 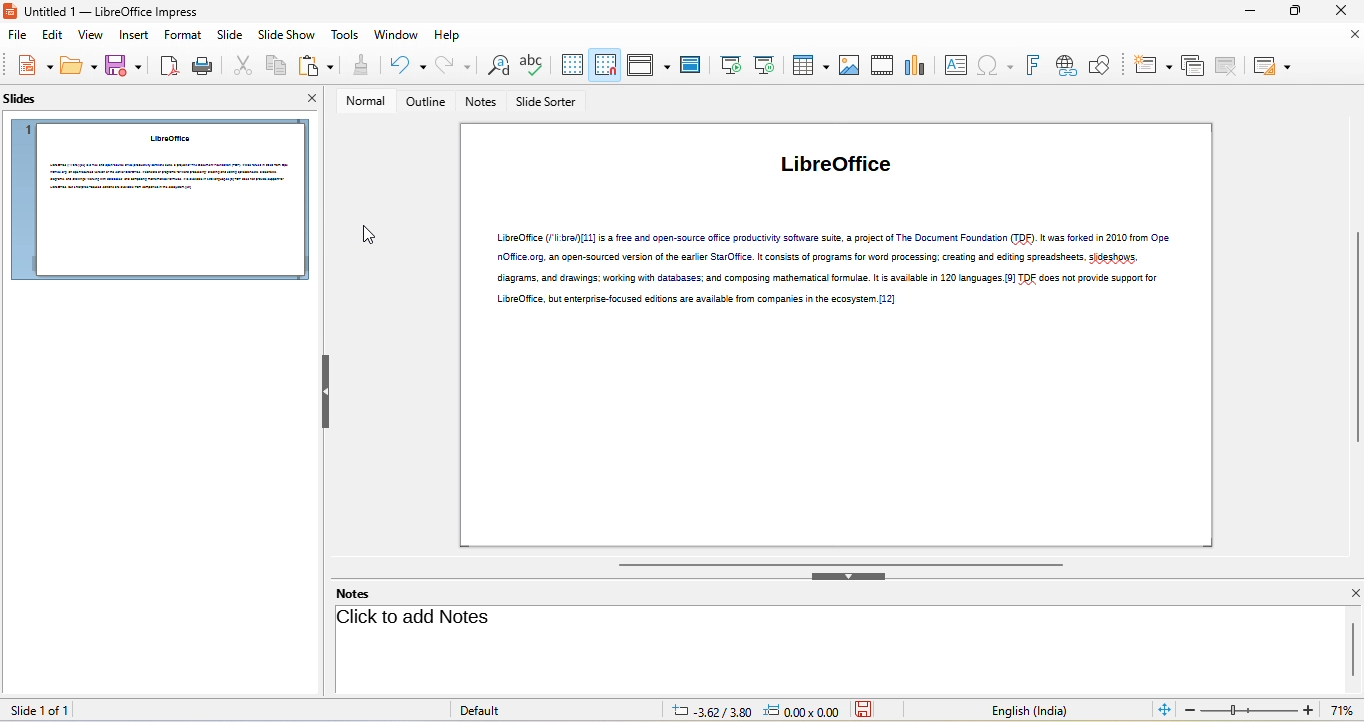 I want to click on normal, so click(x=365, y=101).